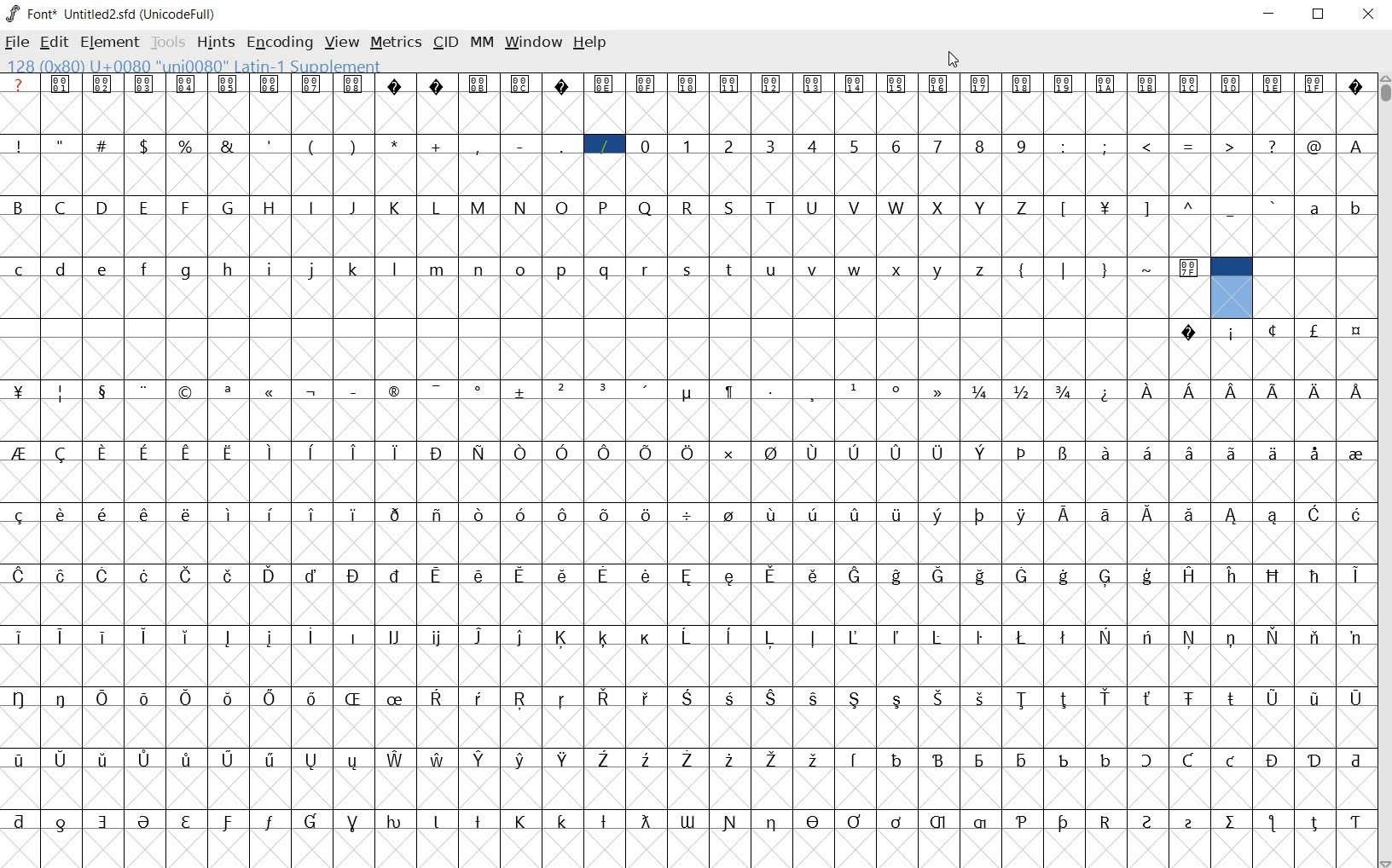  I want to click on Symbol, so click(478, 452).